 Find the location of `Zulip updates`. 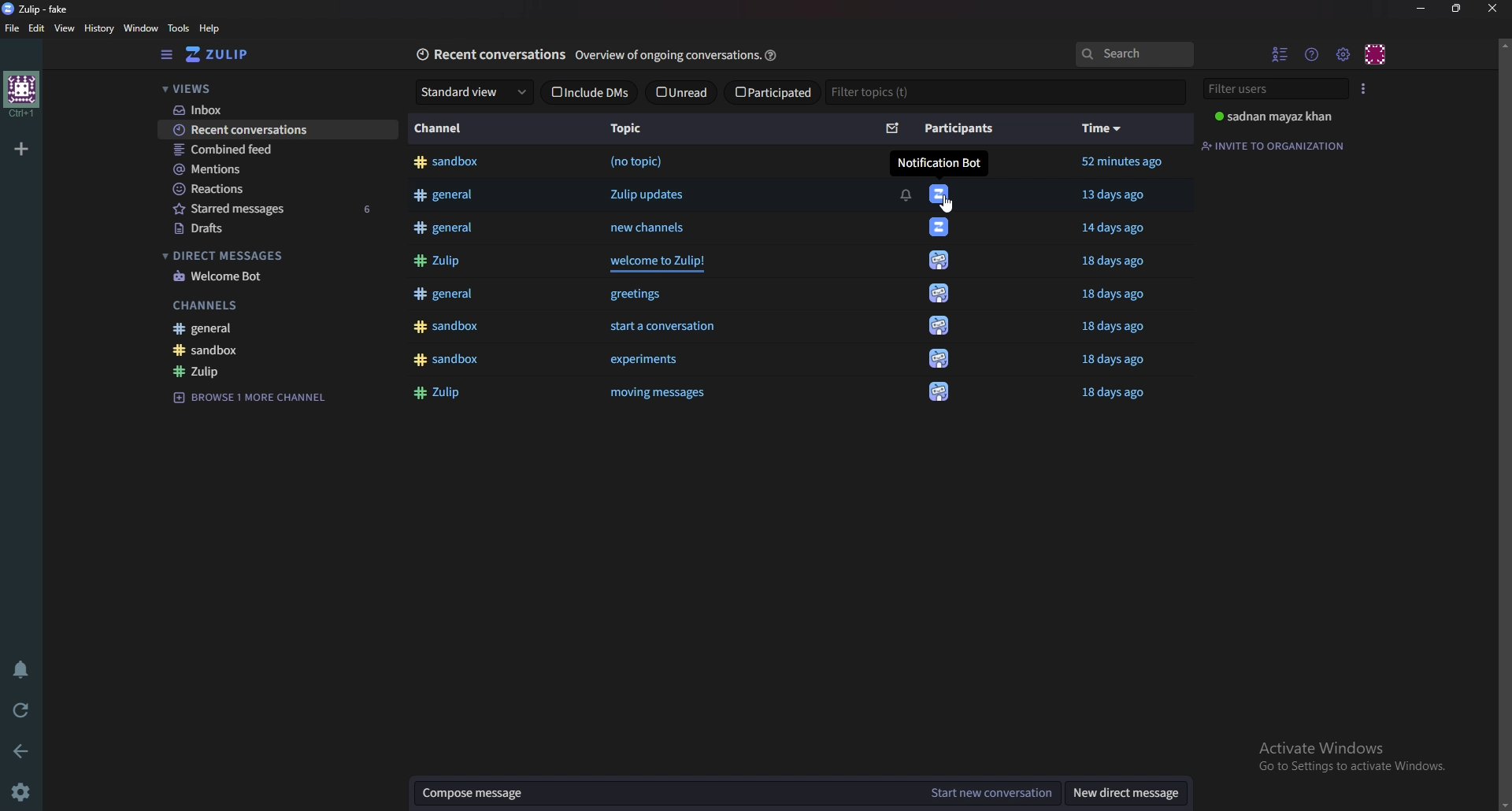

Zulip updates is located at coordinates (656, 194).